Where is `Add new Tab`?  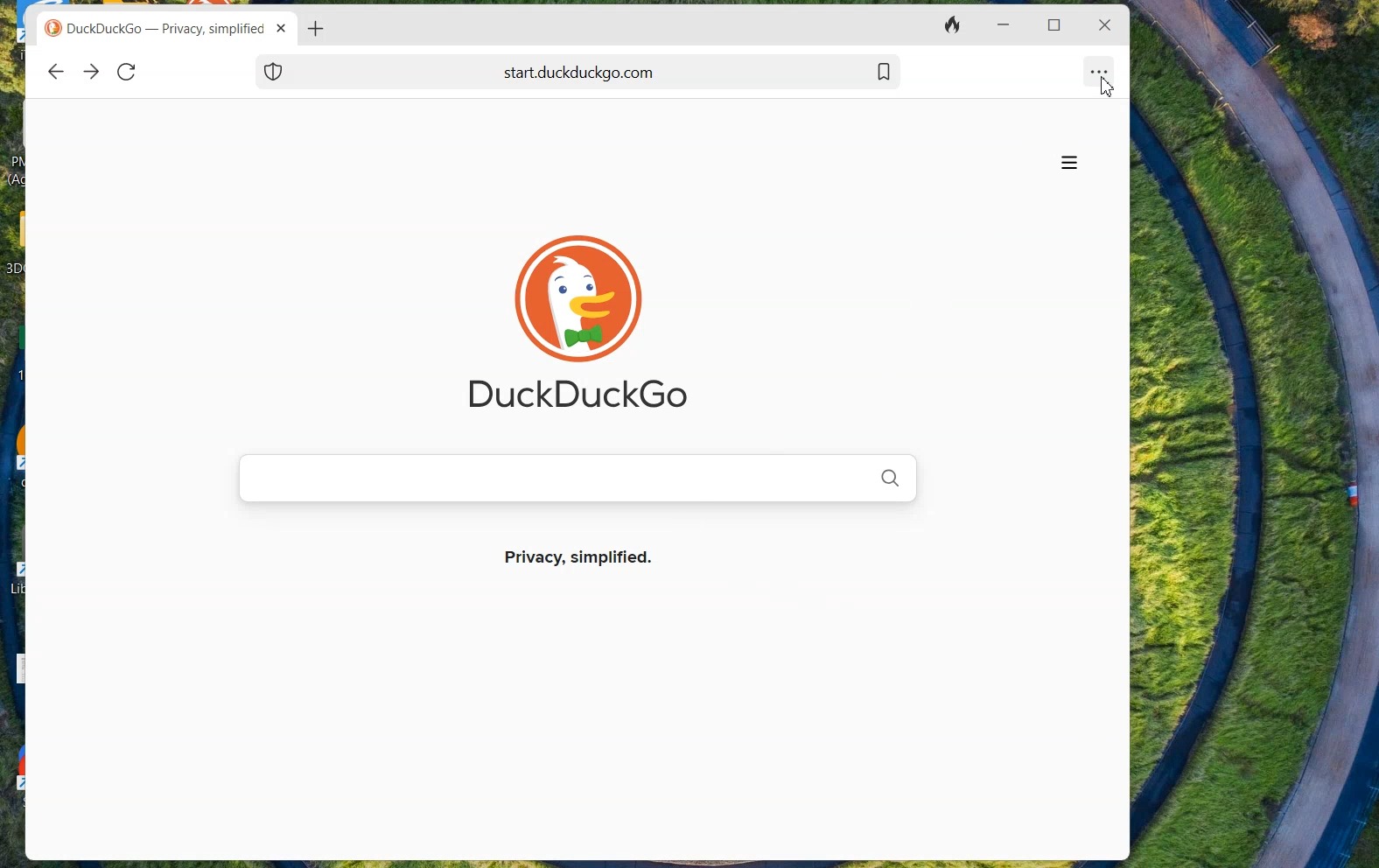
Add new Tab is located at coordinates (317, 28).